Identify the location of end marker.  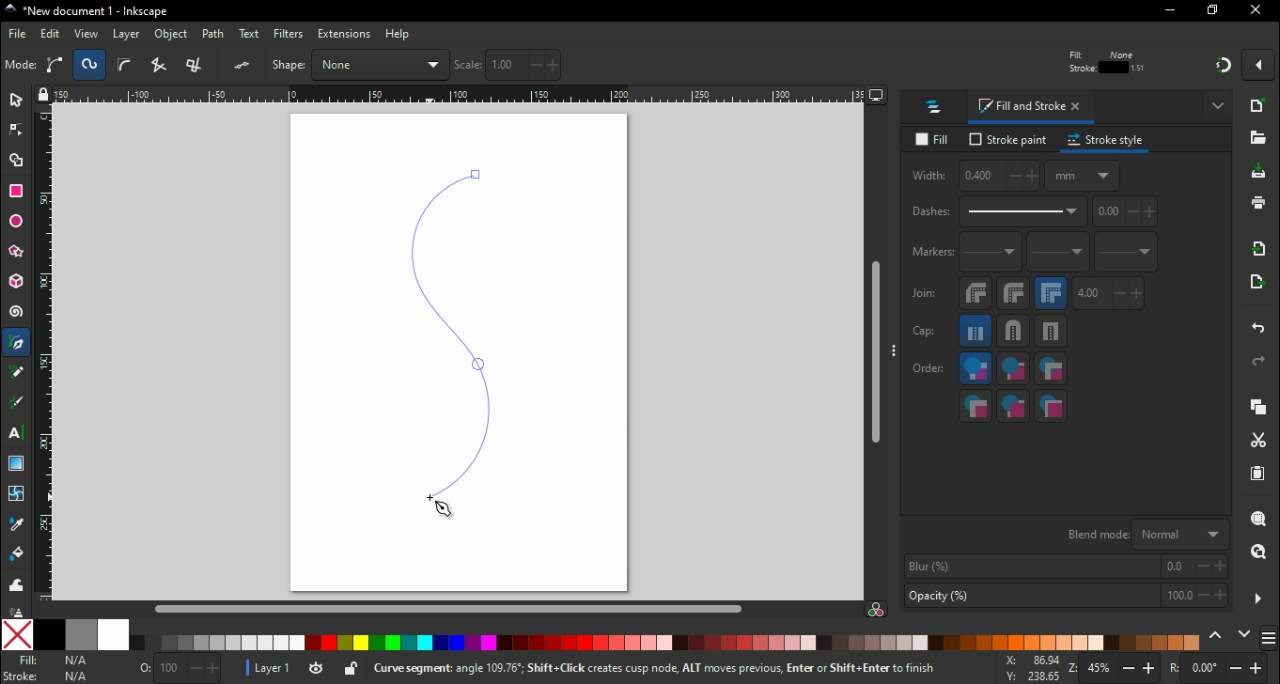
(1128, 255).